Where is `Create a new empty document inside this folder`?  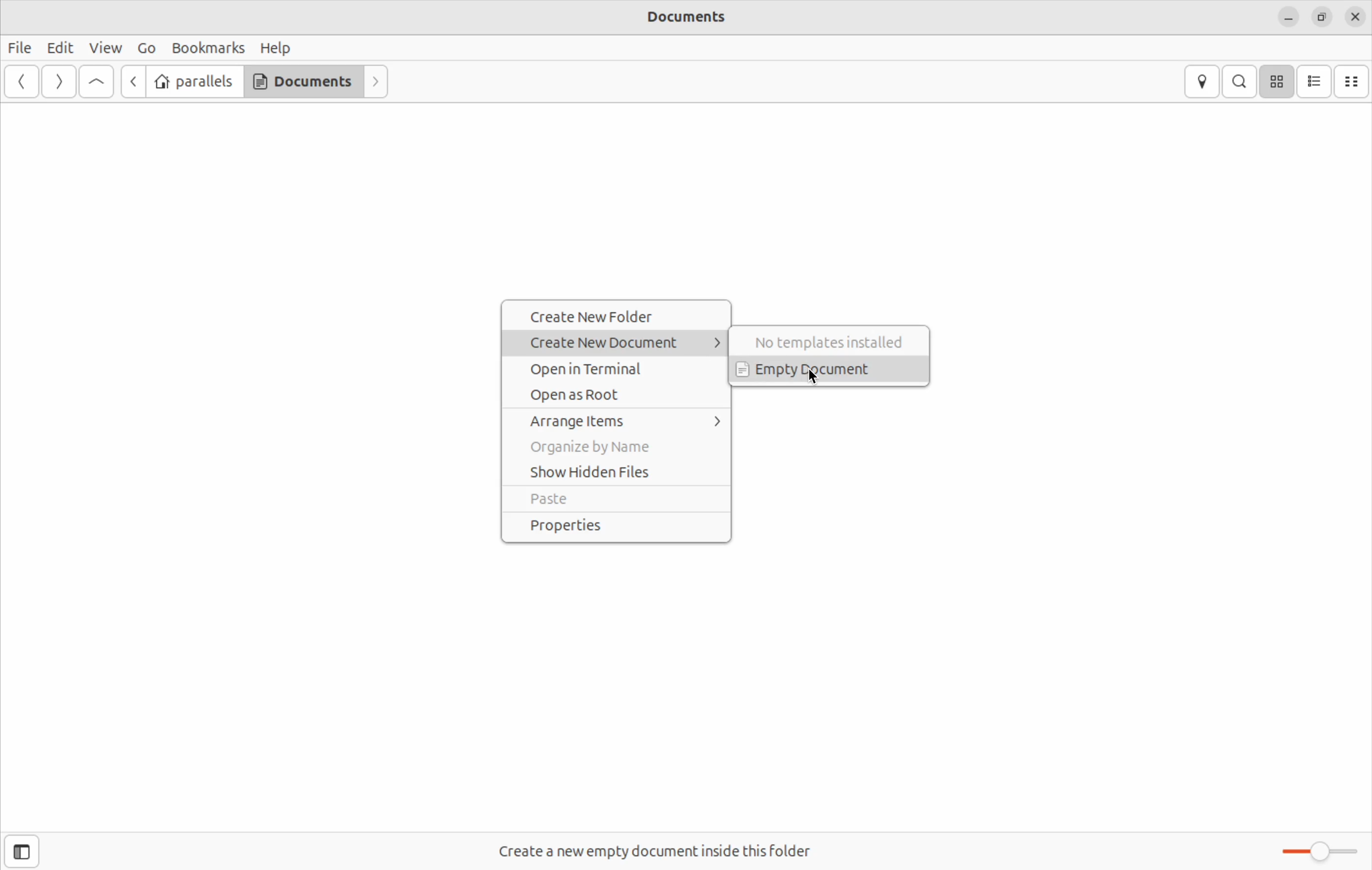
Create a new empty document inside this folder is located at coordinates (672, 843).